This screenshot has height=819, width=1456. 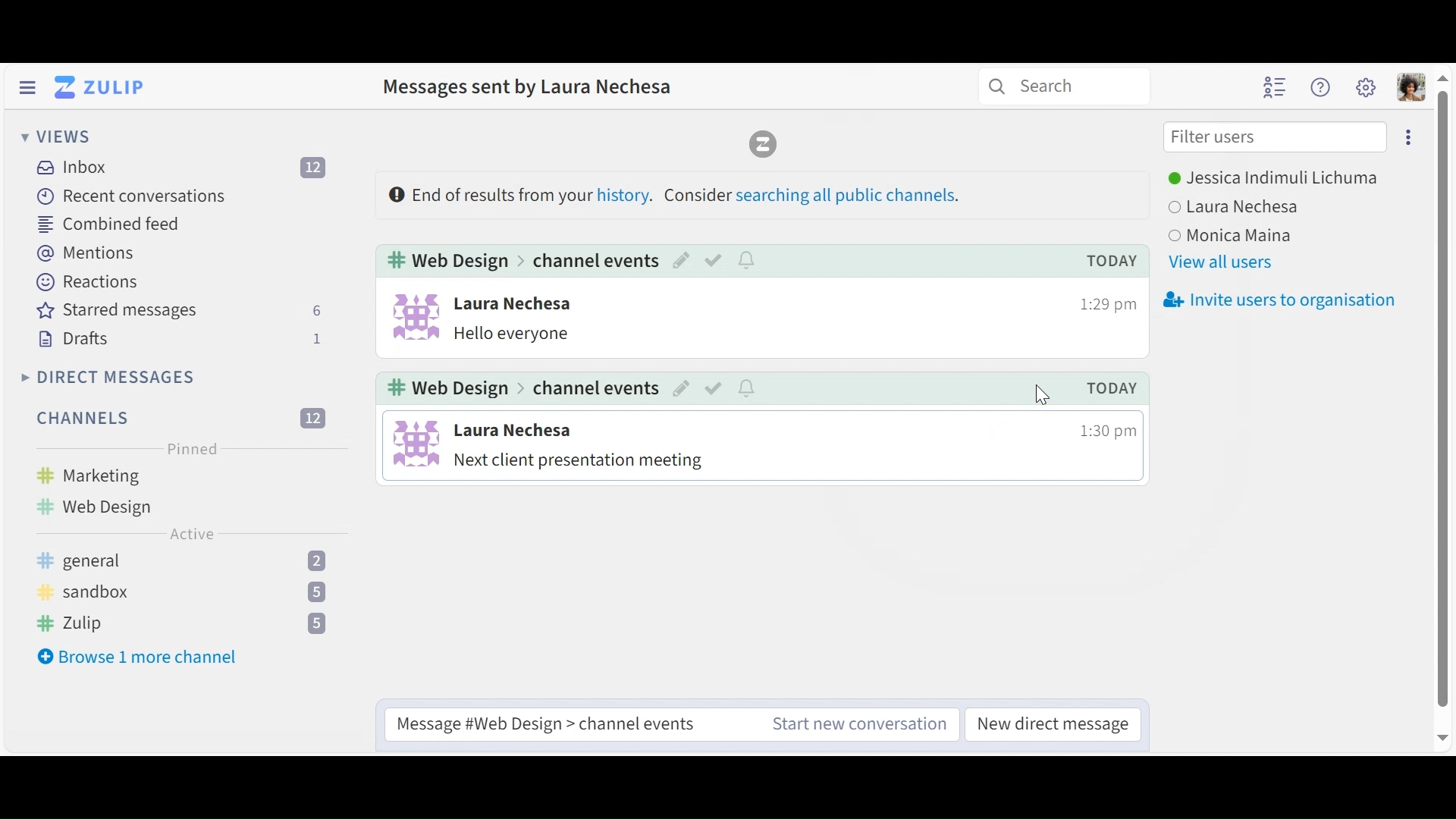 What do you see at coordinates (190, 536) in the screenshot?
I see `Active` at bounding box center [190, 536].